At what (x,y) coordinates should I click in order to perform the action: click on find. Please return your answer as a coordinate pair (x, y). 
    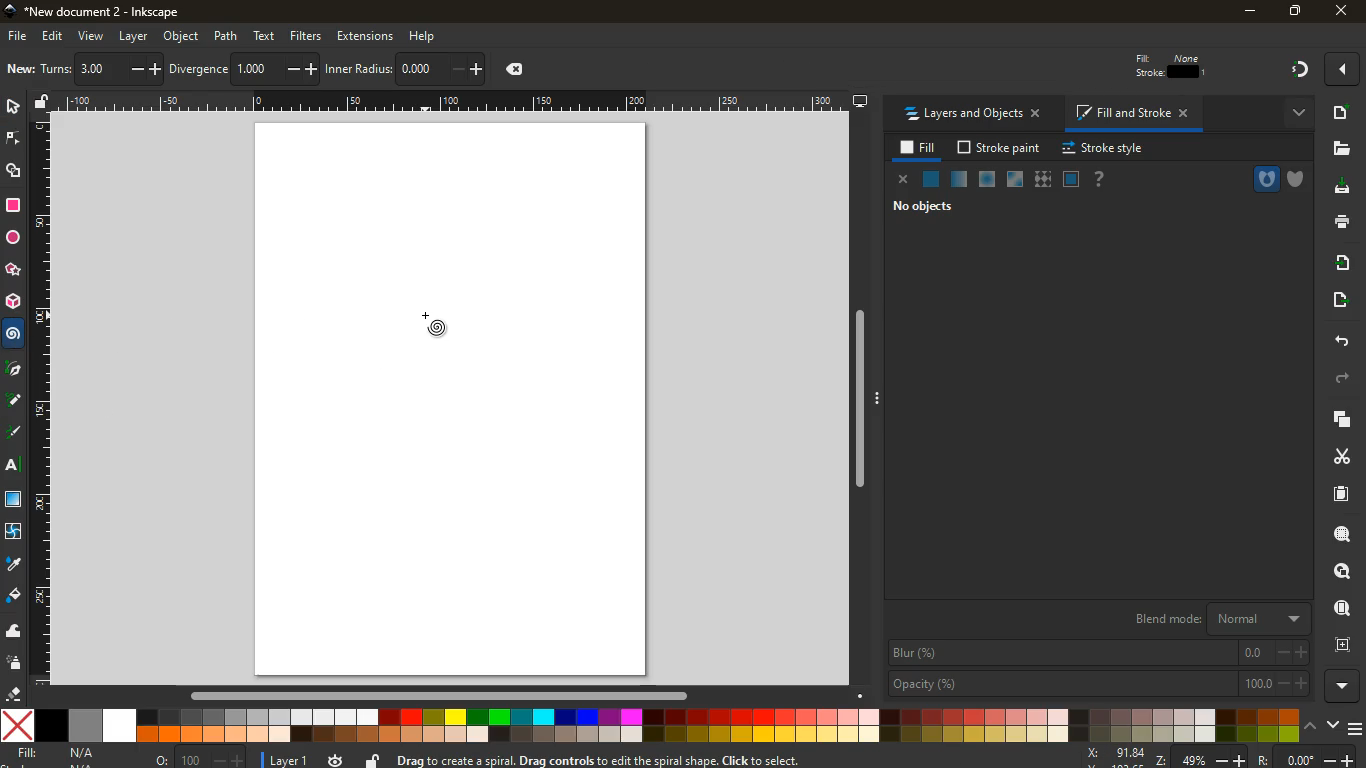
    Looking at the image, I should click on (1339, 608).